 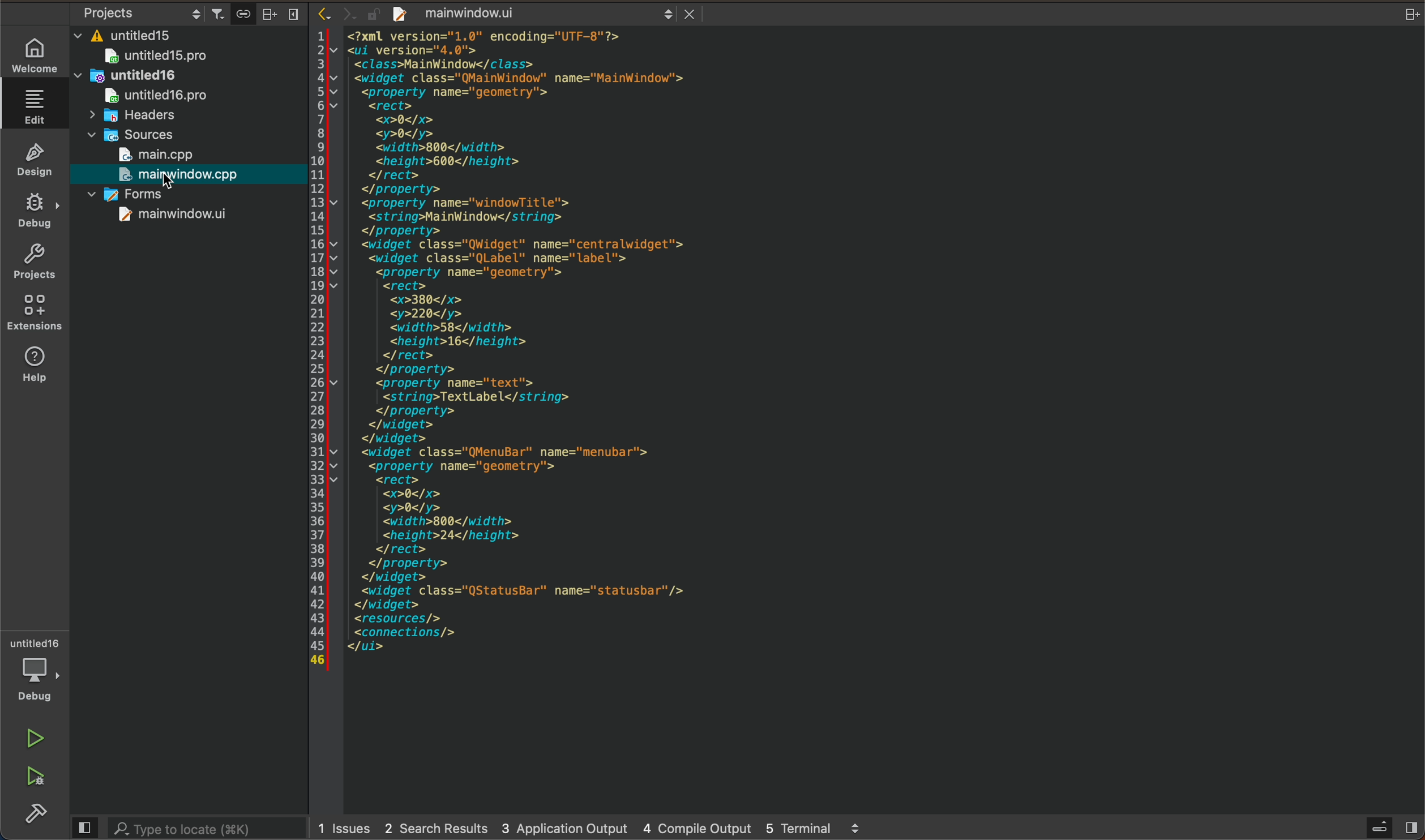 What do you see at coordinates (186, 177) in the screenshot?
I see `cursor` at bounding box center [186, 177].